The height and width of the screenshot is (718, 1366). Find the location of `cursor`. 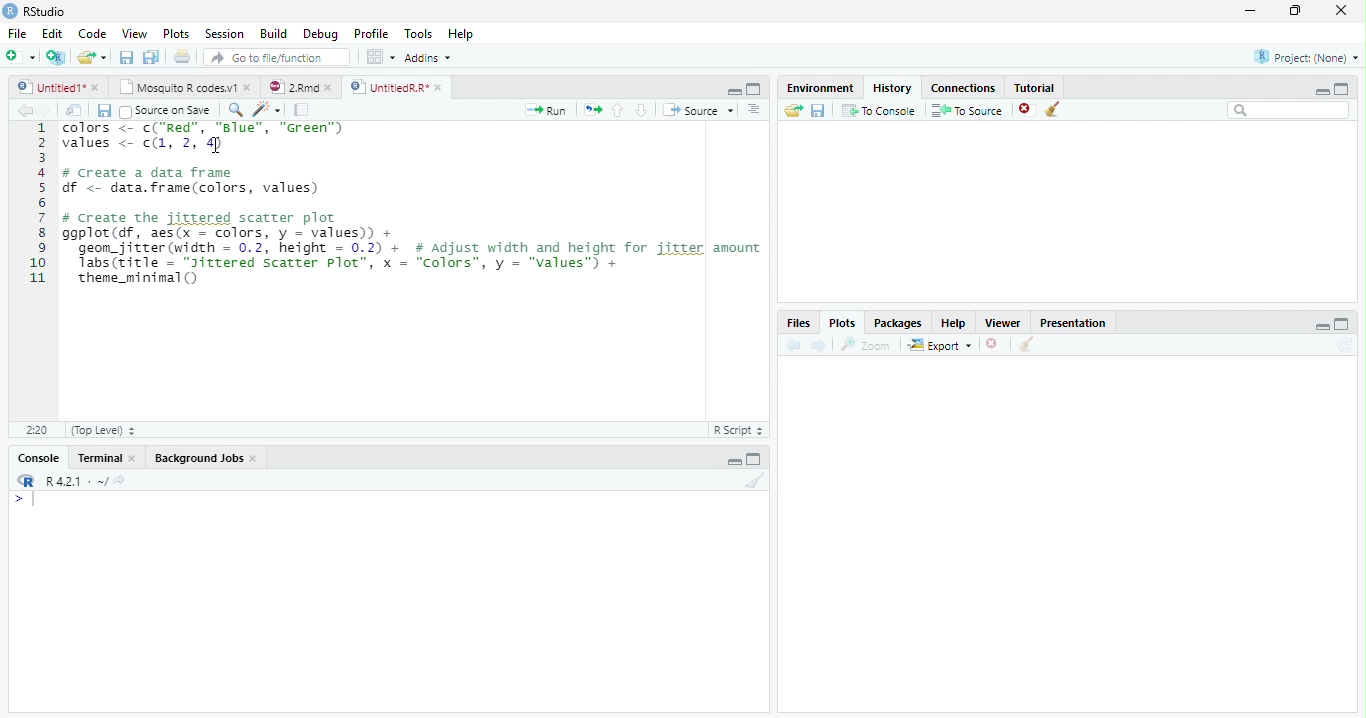

cursor is located at coordinates (215, 144).